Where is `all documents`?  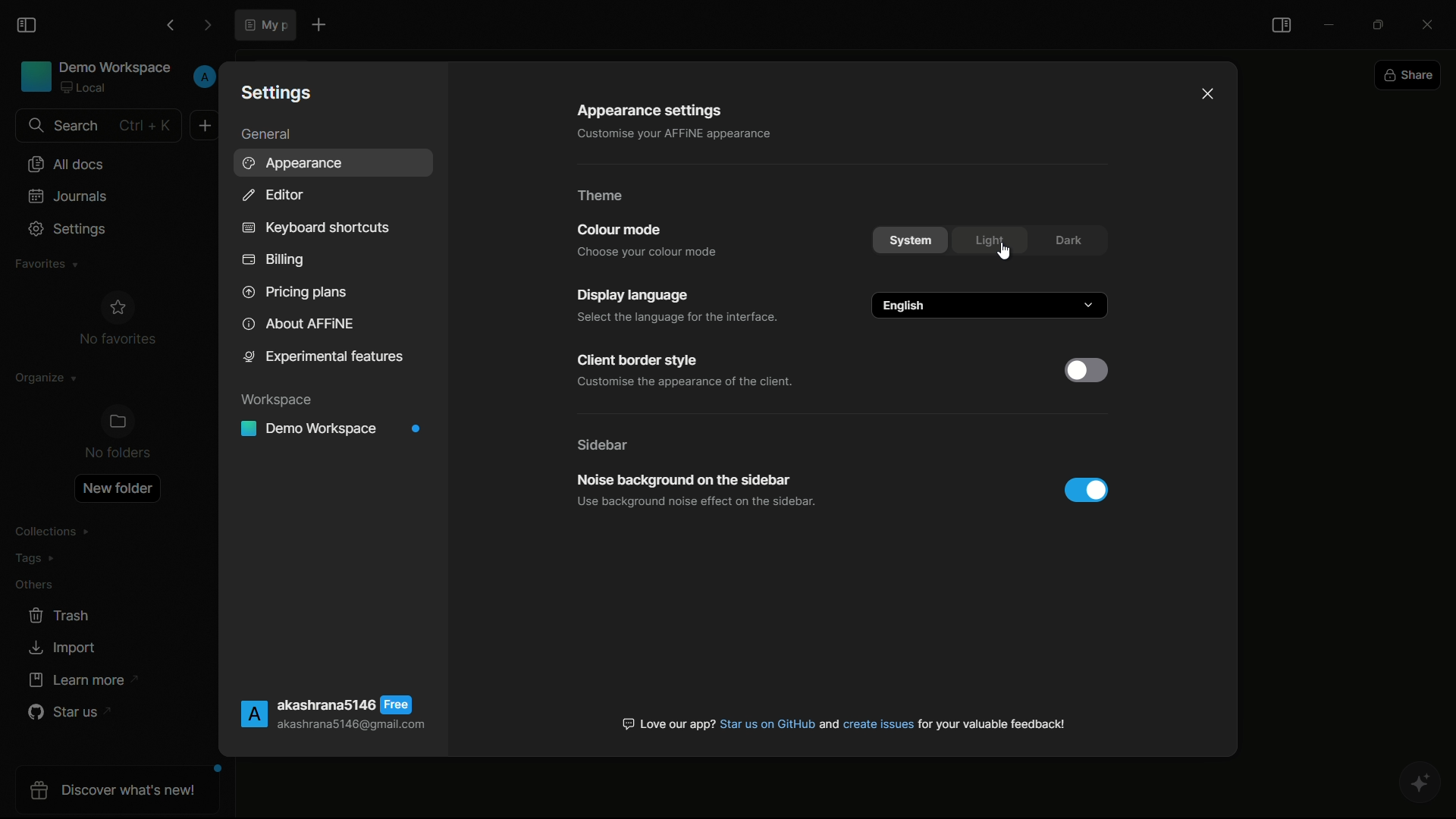 all documents is located at coordinates (64, 165).